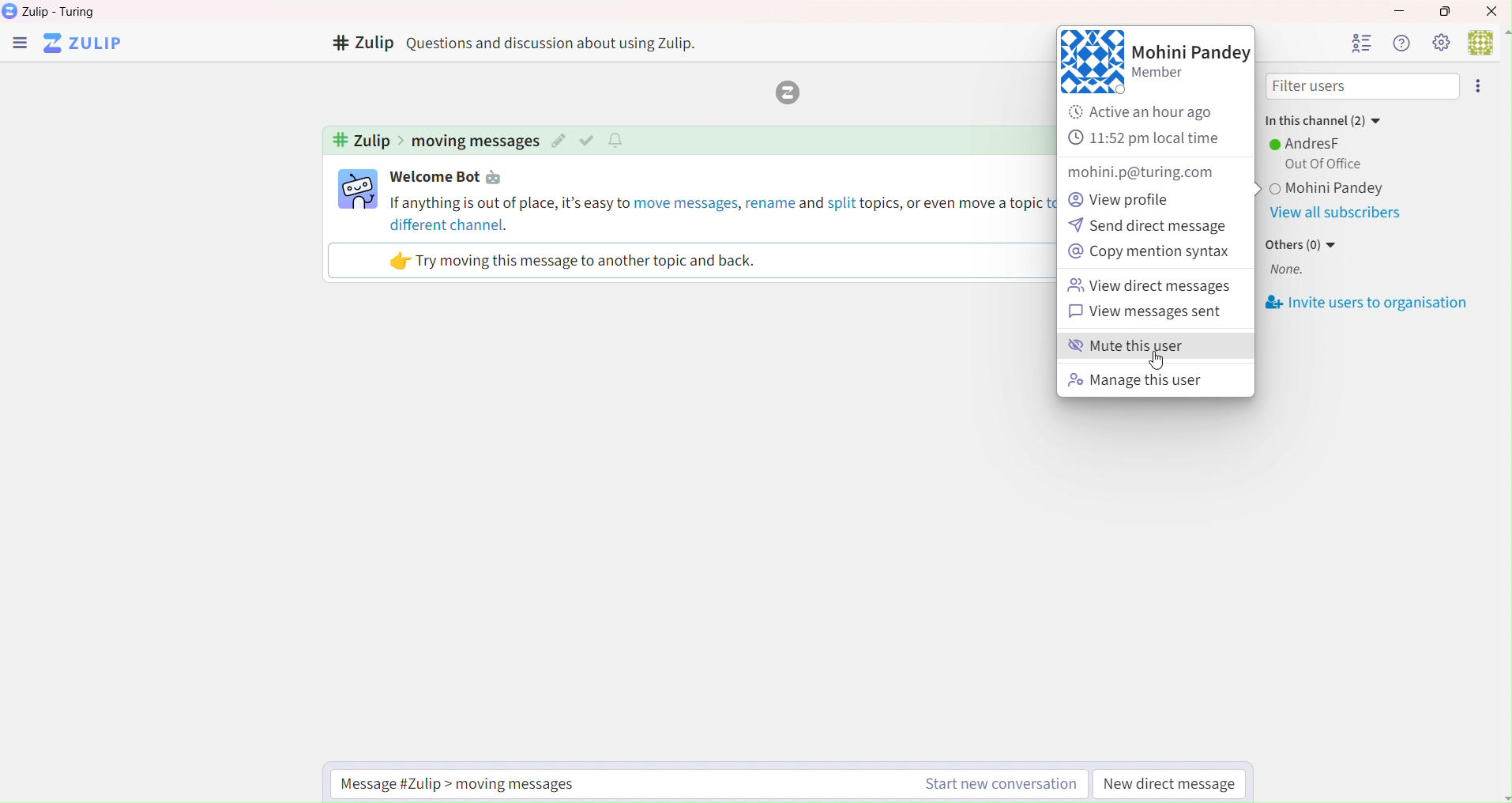 This screenshot has width=1512, height=803. What do you see at coordinates (1091, 62) in the screenshot?
I see `user profile` at bounding box center [1091, 62].